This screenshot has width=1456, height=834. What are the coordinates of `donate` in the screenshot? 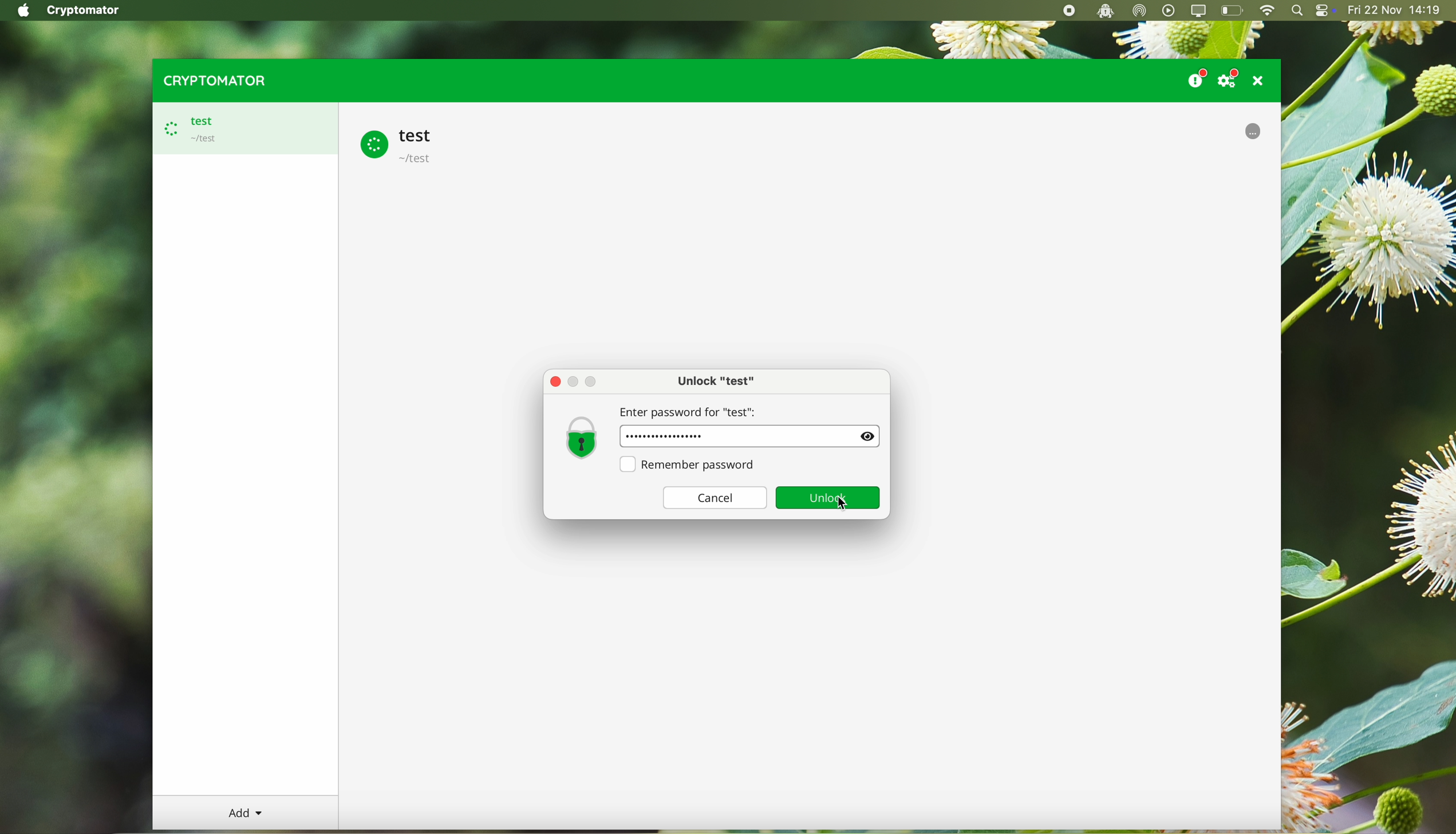 It's located at (1195, 76).